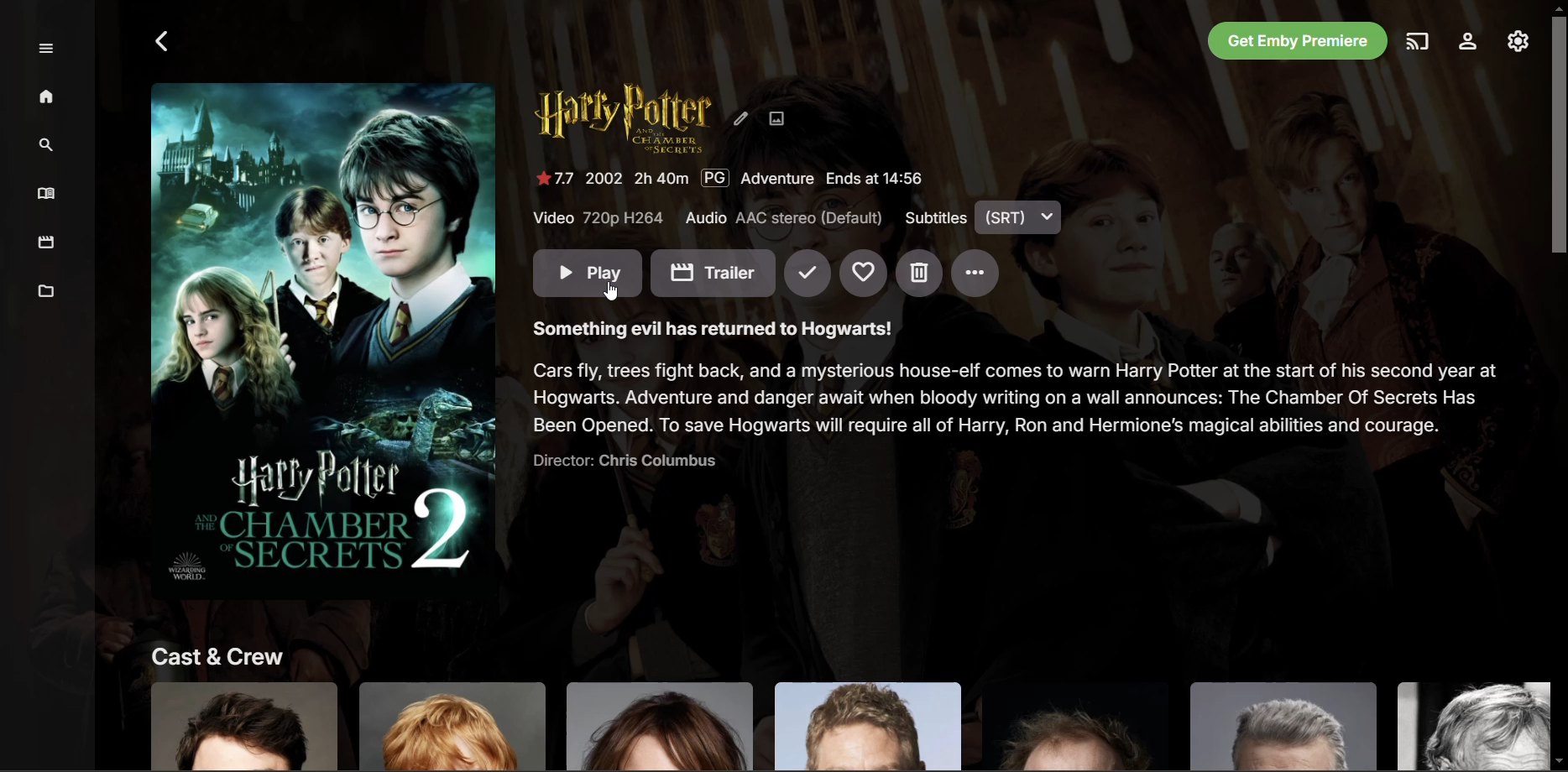  What do you see at coordinates (785, 218) in the screenshot?
I see `Audio` at bounding box center [785, 218].